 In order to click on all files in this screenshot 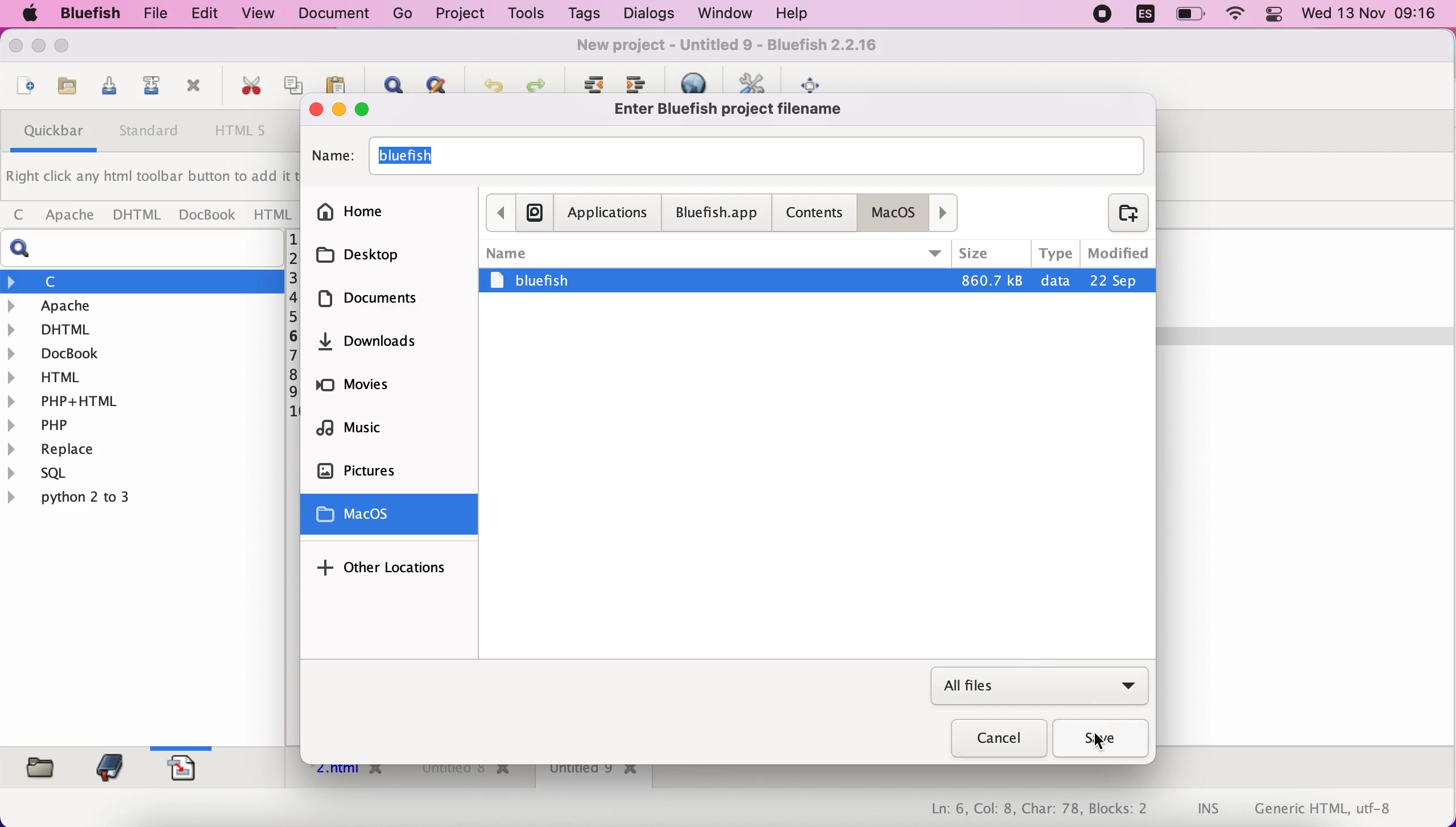, I will do `click(1039, 687)`.